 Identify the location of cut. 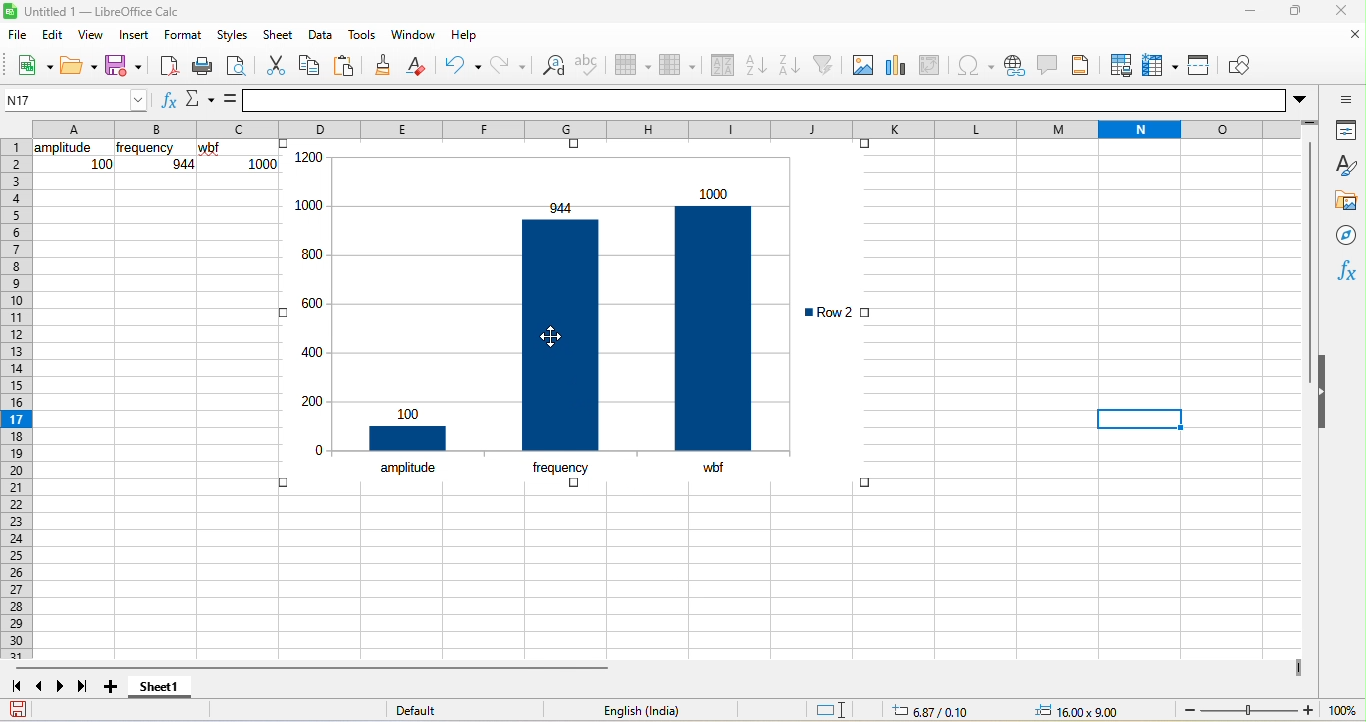
(276, 69).